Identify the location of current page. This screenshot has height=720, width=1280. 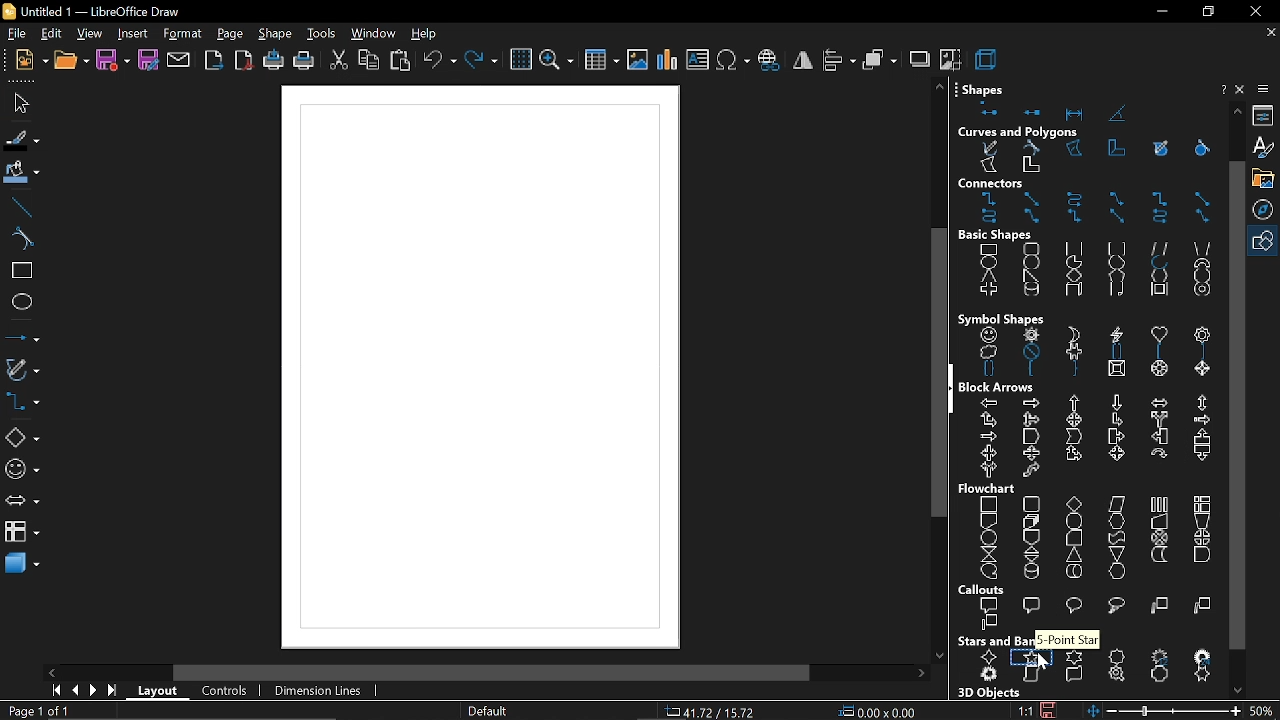
(35, 711).